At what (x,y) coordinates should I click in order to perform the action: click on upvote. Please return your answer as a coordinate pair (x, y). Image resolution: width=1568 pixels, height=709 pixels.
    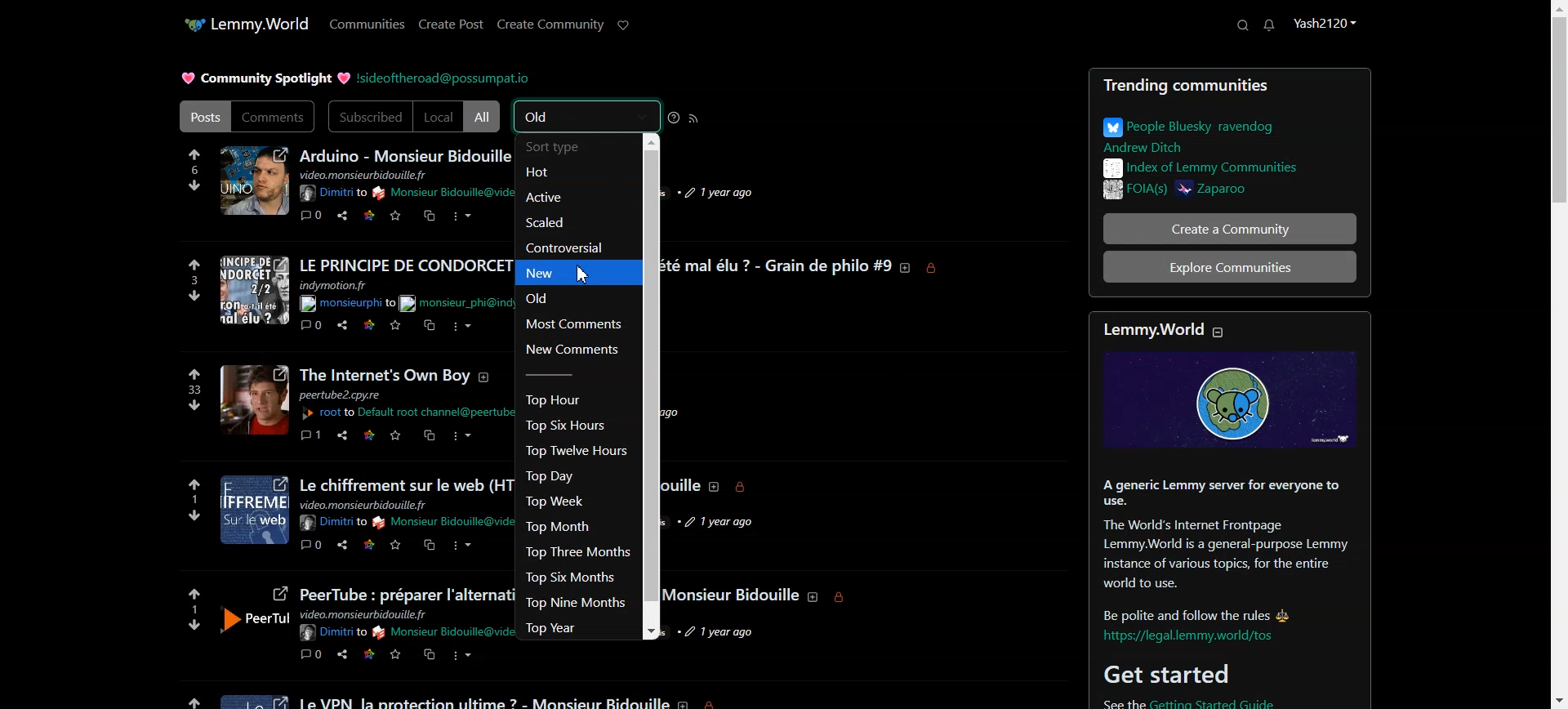
    Looking at the image, I should click on (192, 261).